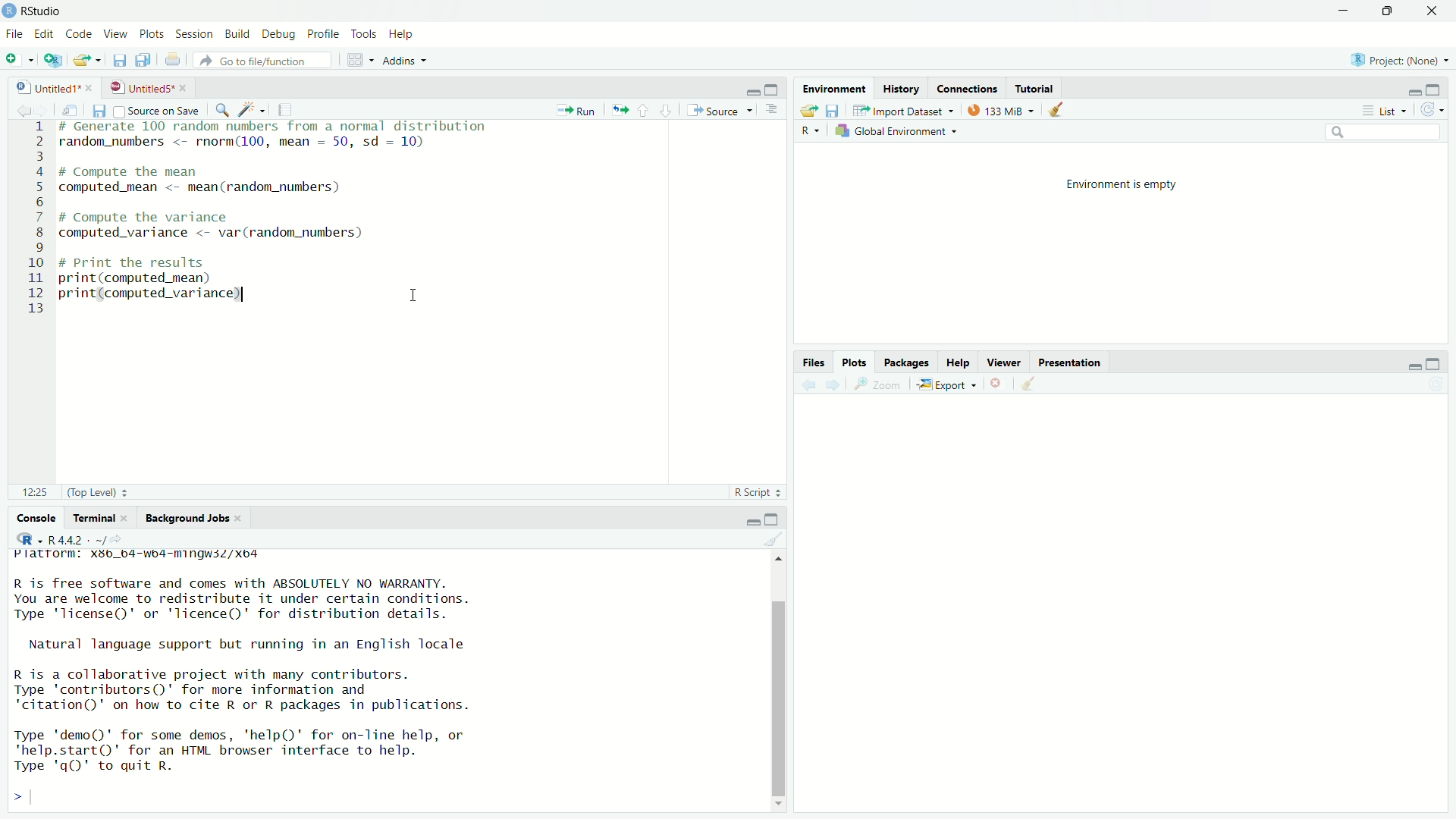  What do you see at coordinates (775, 516) in the screenshot?
I see `maximize` at bounding box center [775, 516].